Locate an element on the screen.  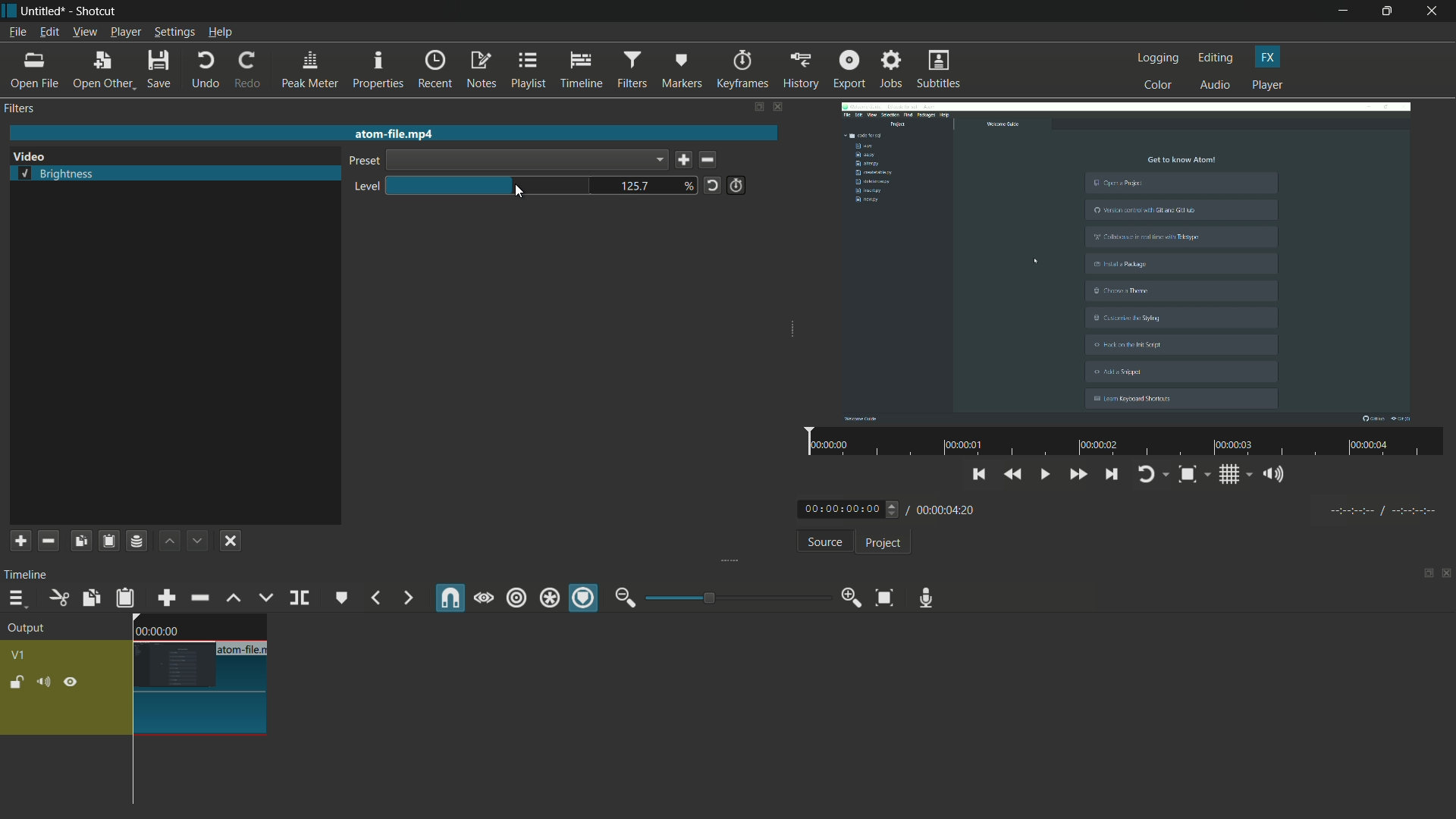
record audio is located at coordinates (922, 598).